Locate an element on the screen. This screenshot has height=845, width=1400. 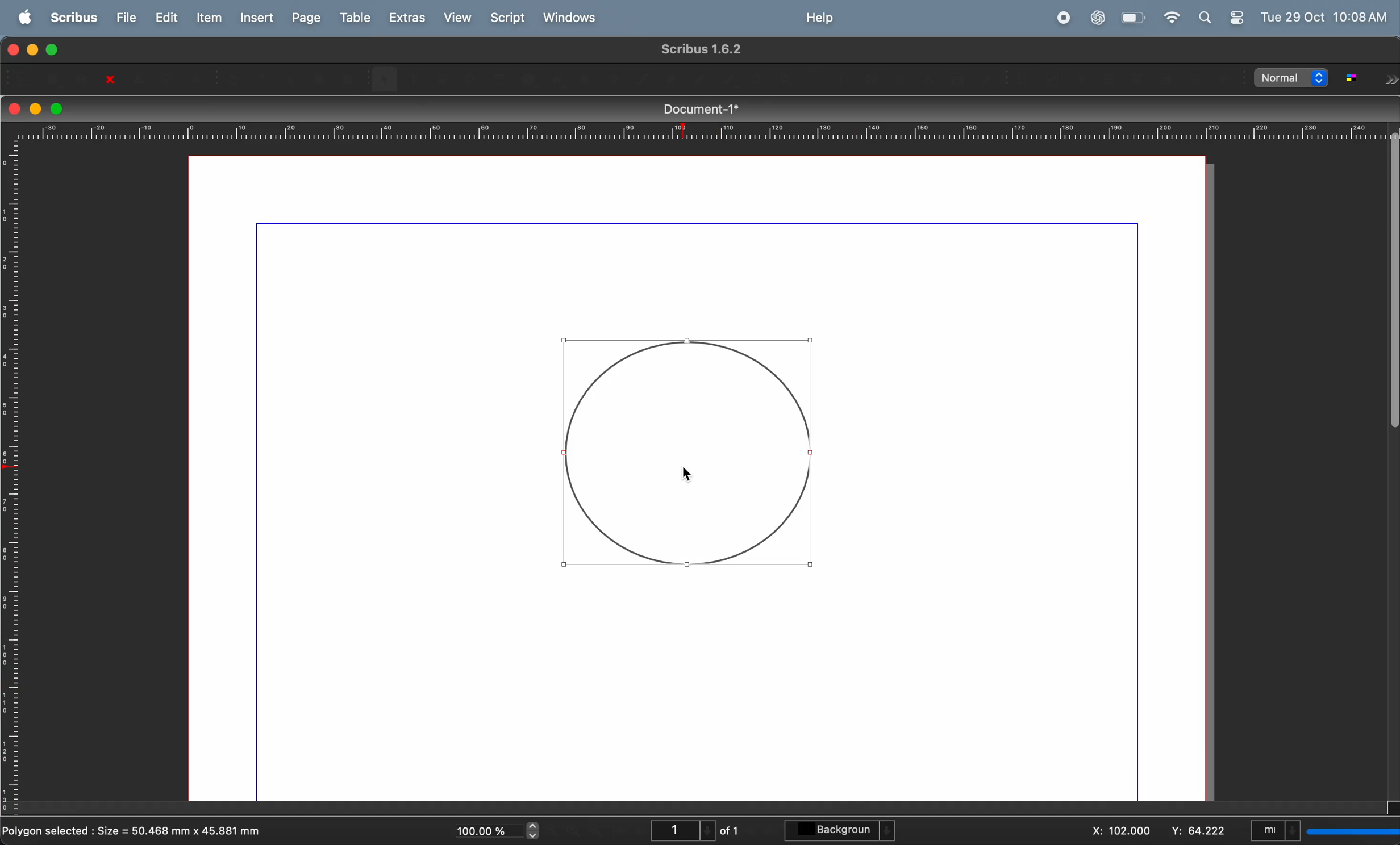
Script is located at coordinates (510, 18).